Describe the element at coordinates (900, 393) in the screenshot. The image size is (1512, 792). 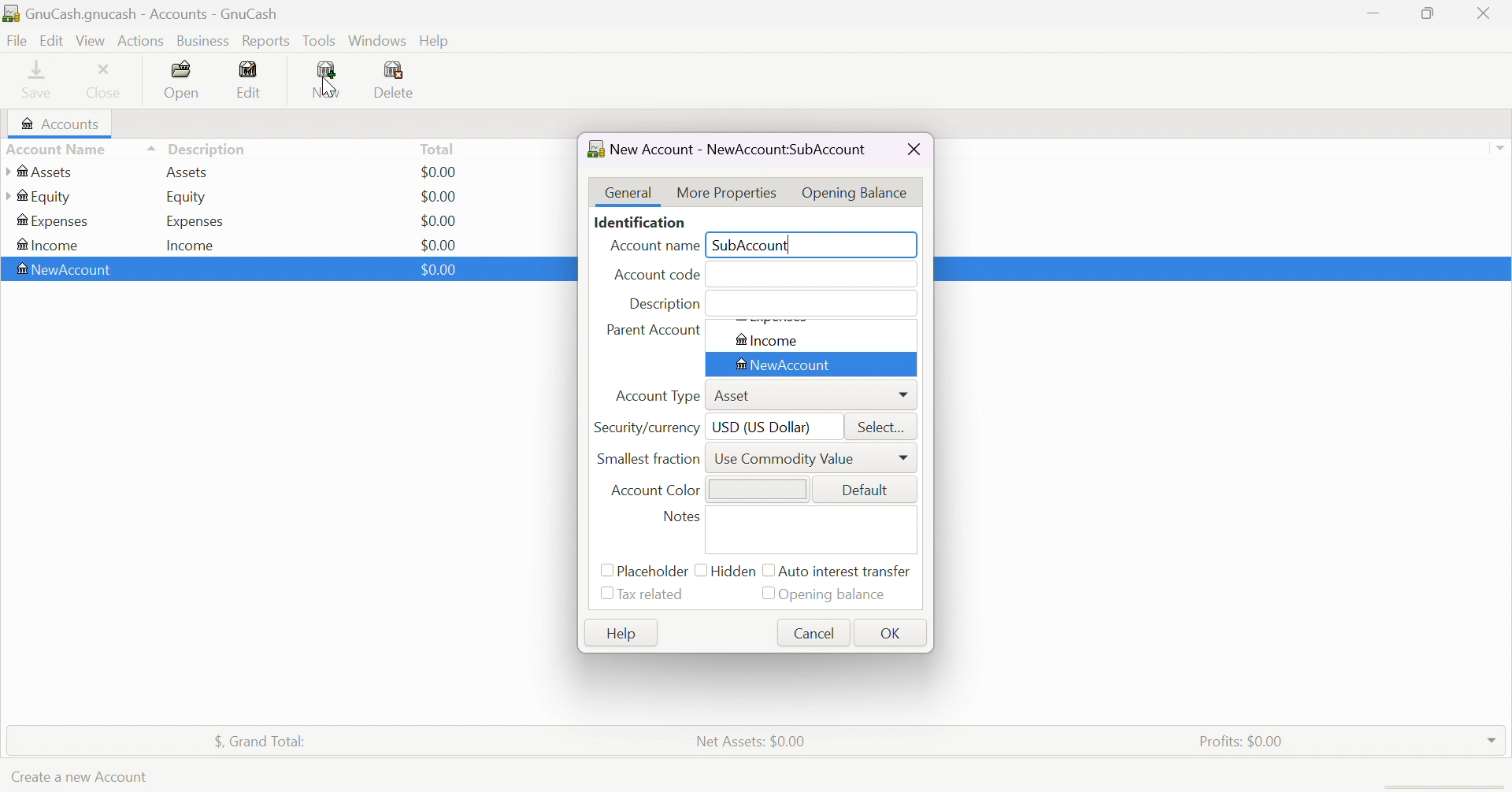
I see `Drop Down` at that location.